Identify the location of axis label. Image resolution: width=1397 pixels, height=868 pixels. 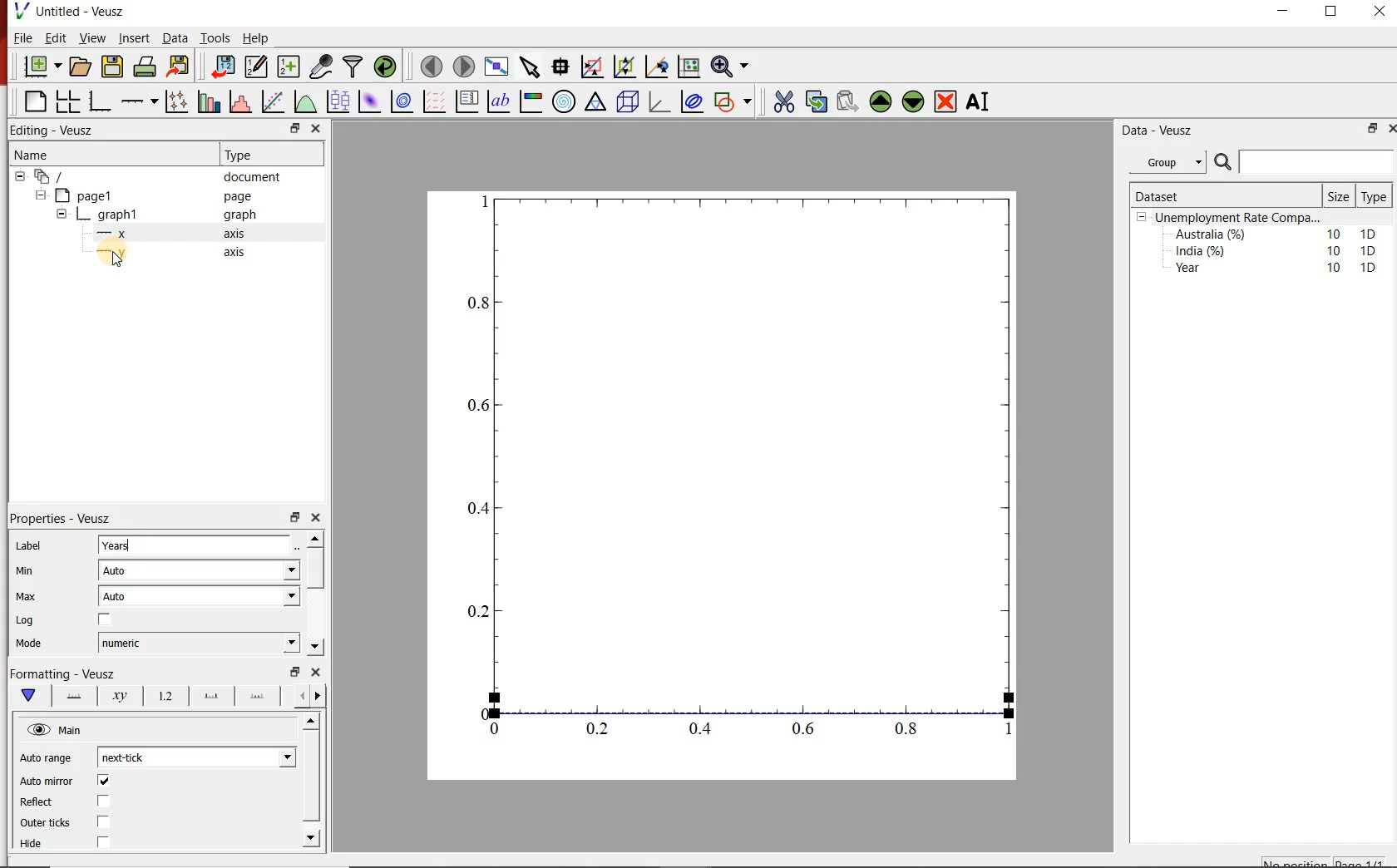
(119, 697).